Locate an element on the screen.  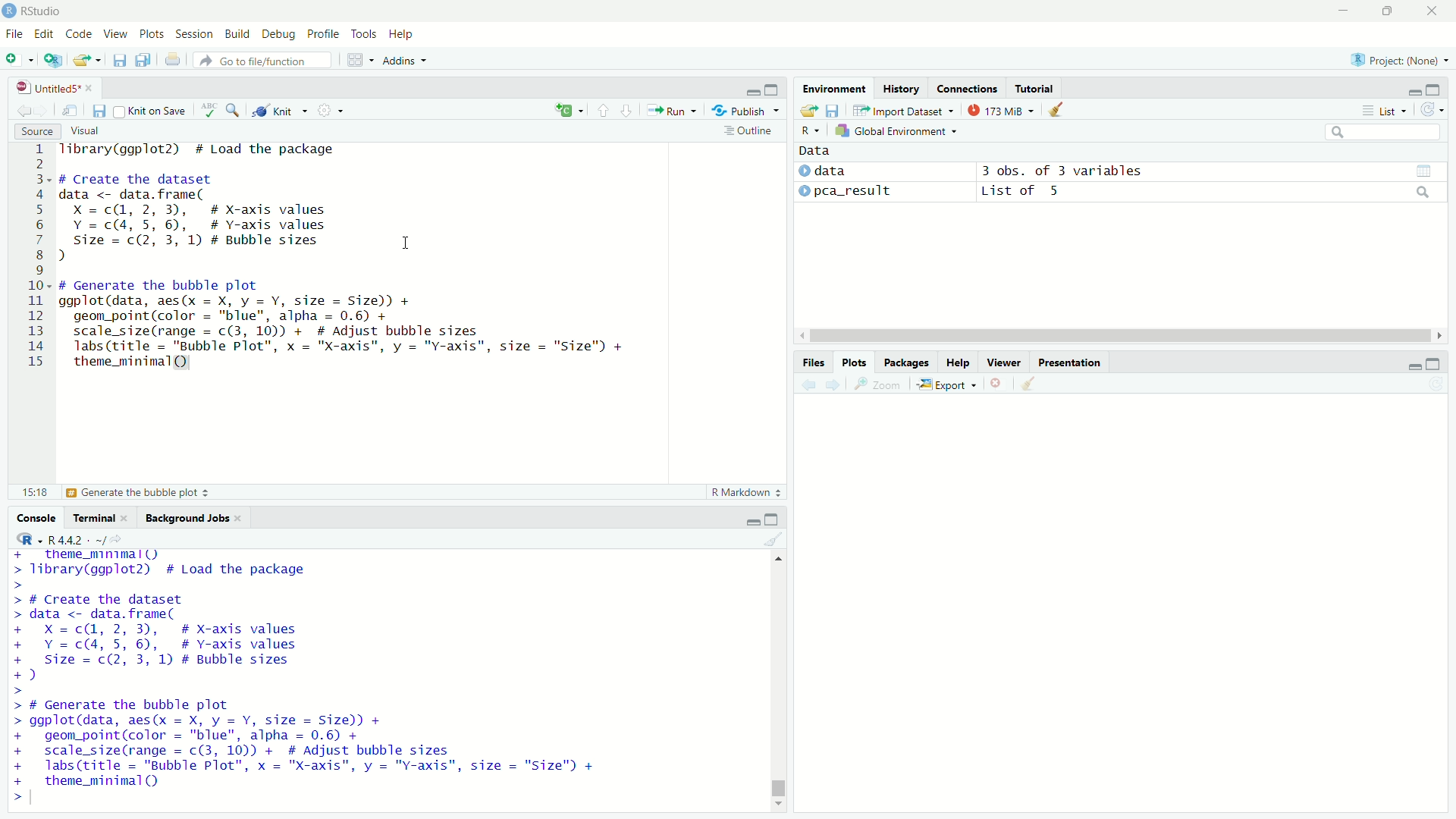
RStudio is located at coordinates (42, 11).